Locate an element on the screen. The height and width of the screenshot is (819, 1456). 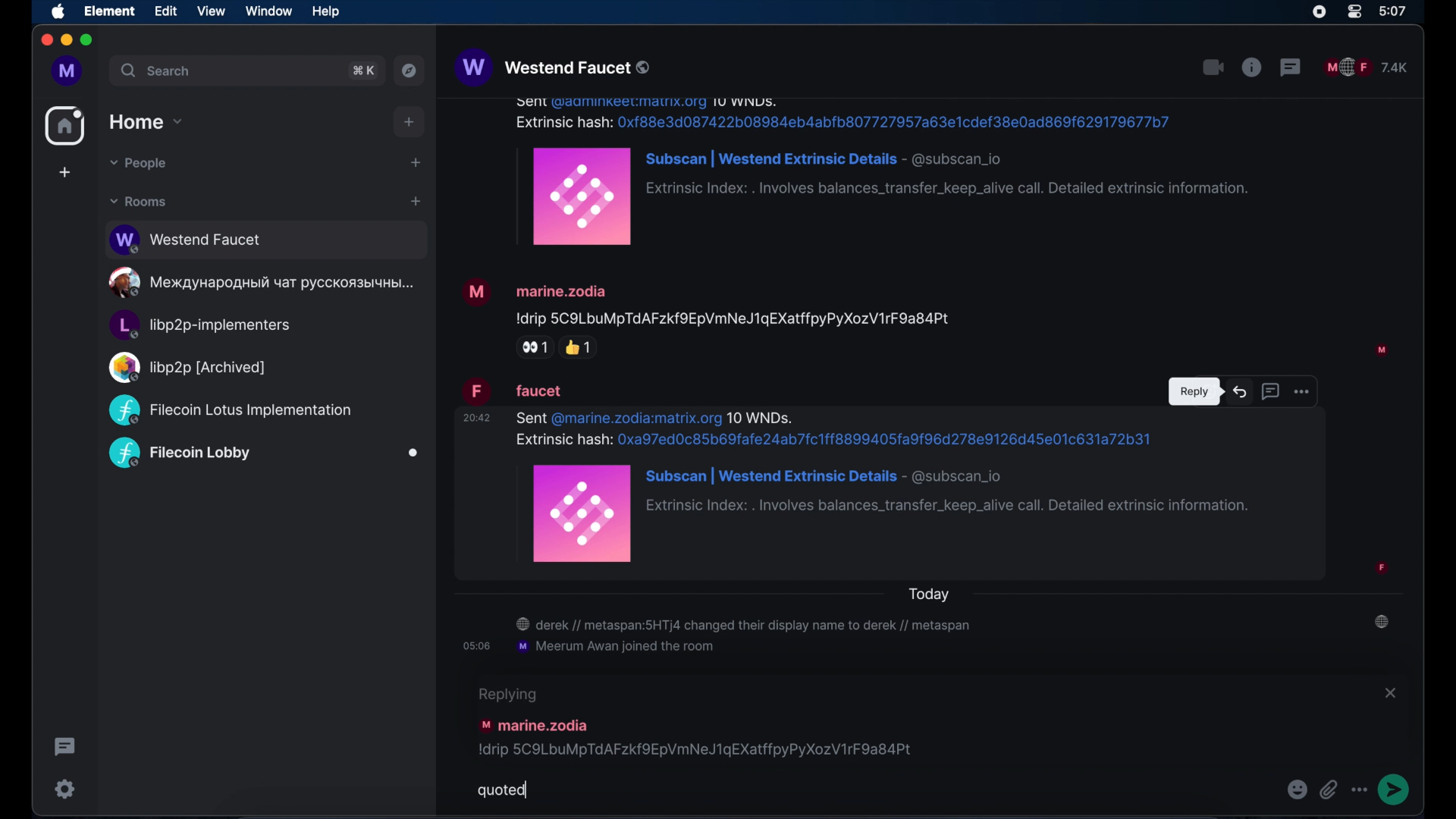
home drop down is located at coordinates (146, 121).